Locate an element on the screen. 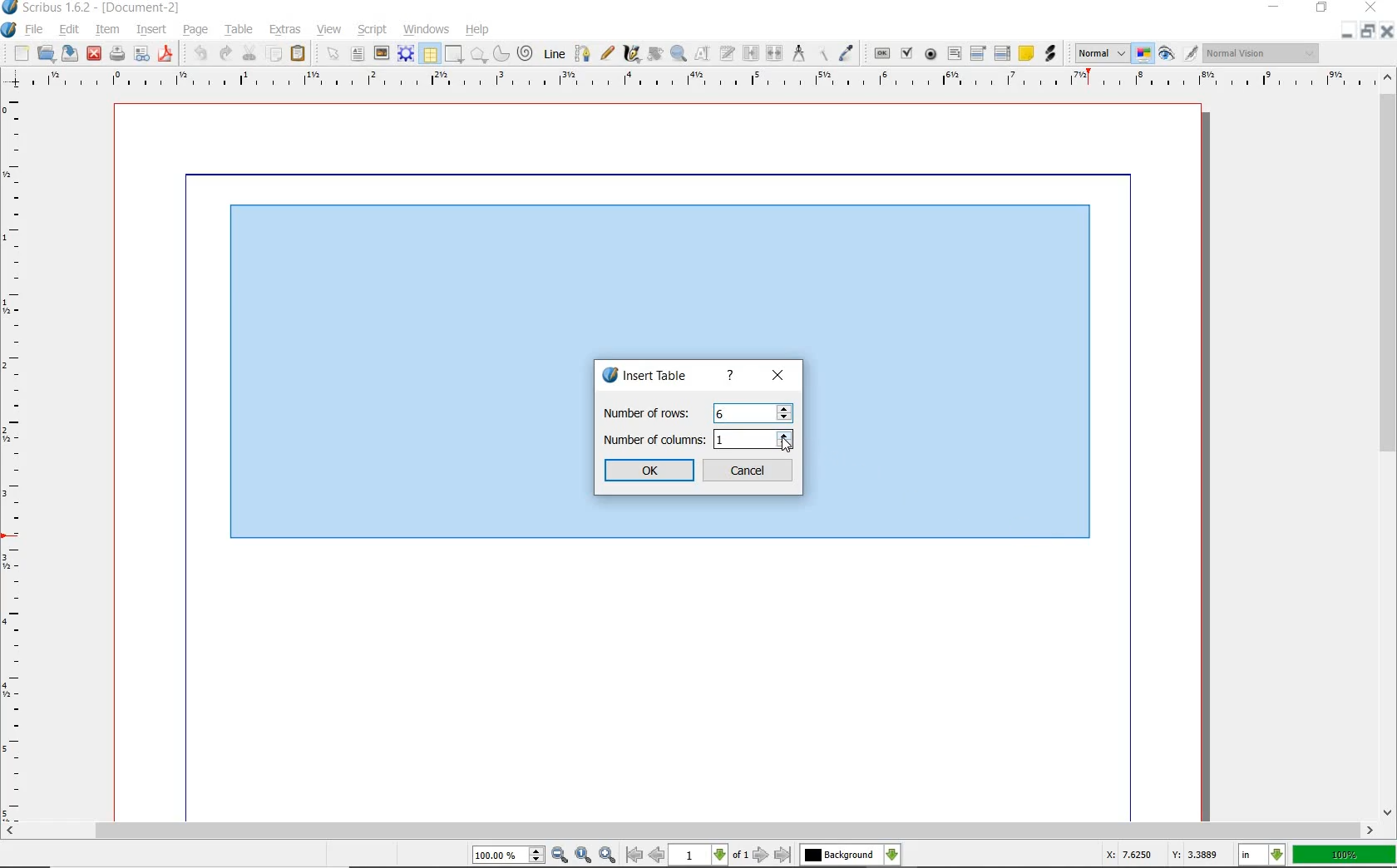  render frame is located at coordinates (406, 55).